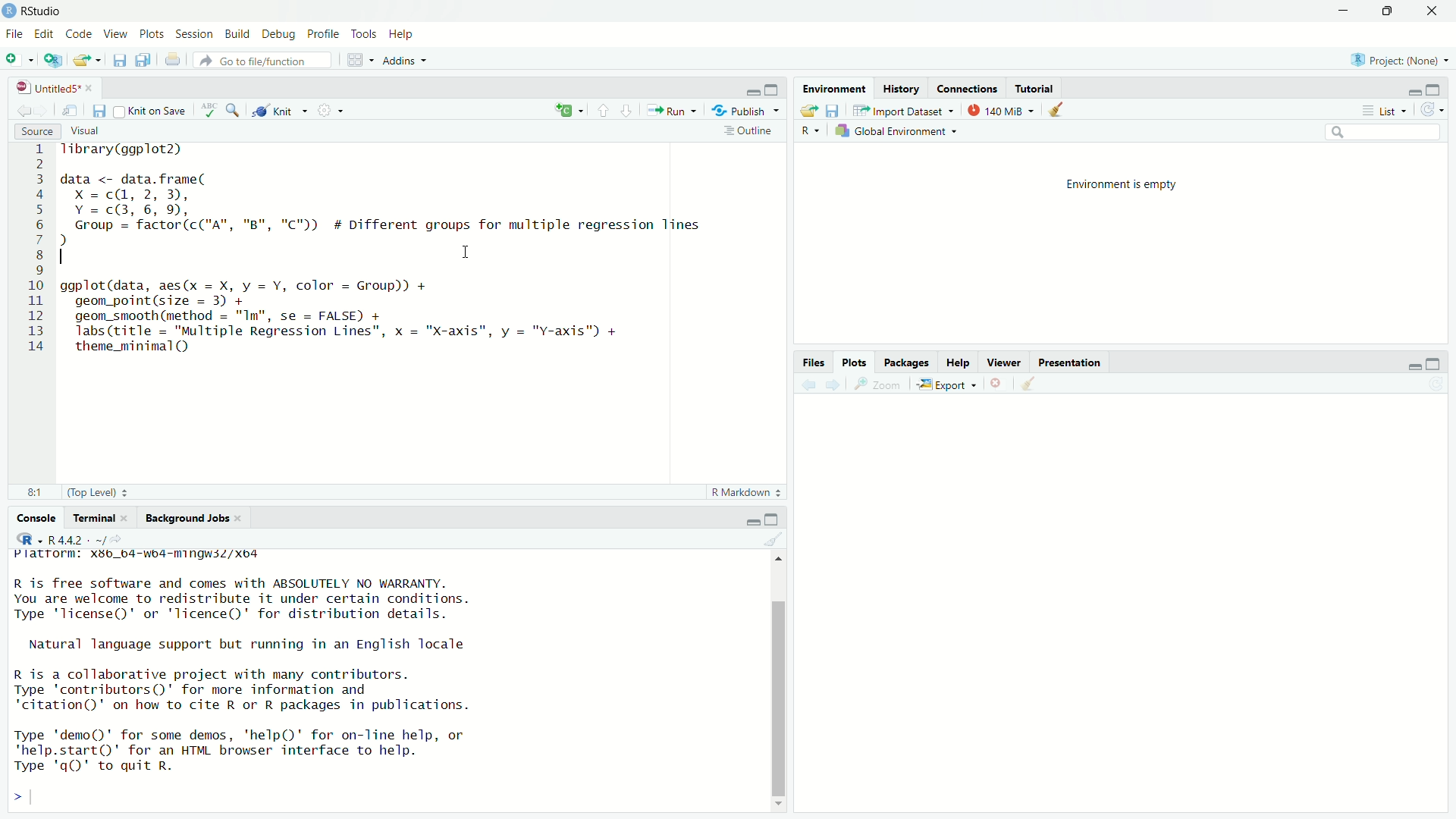 Image resolution: width=1456 pixels, height=819 pixels. I want to click on Import Dataset, so click(900, 110).